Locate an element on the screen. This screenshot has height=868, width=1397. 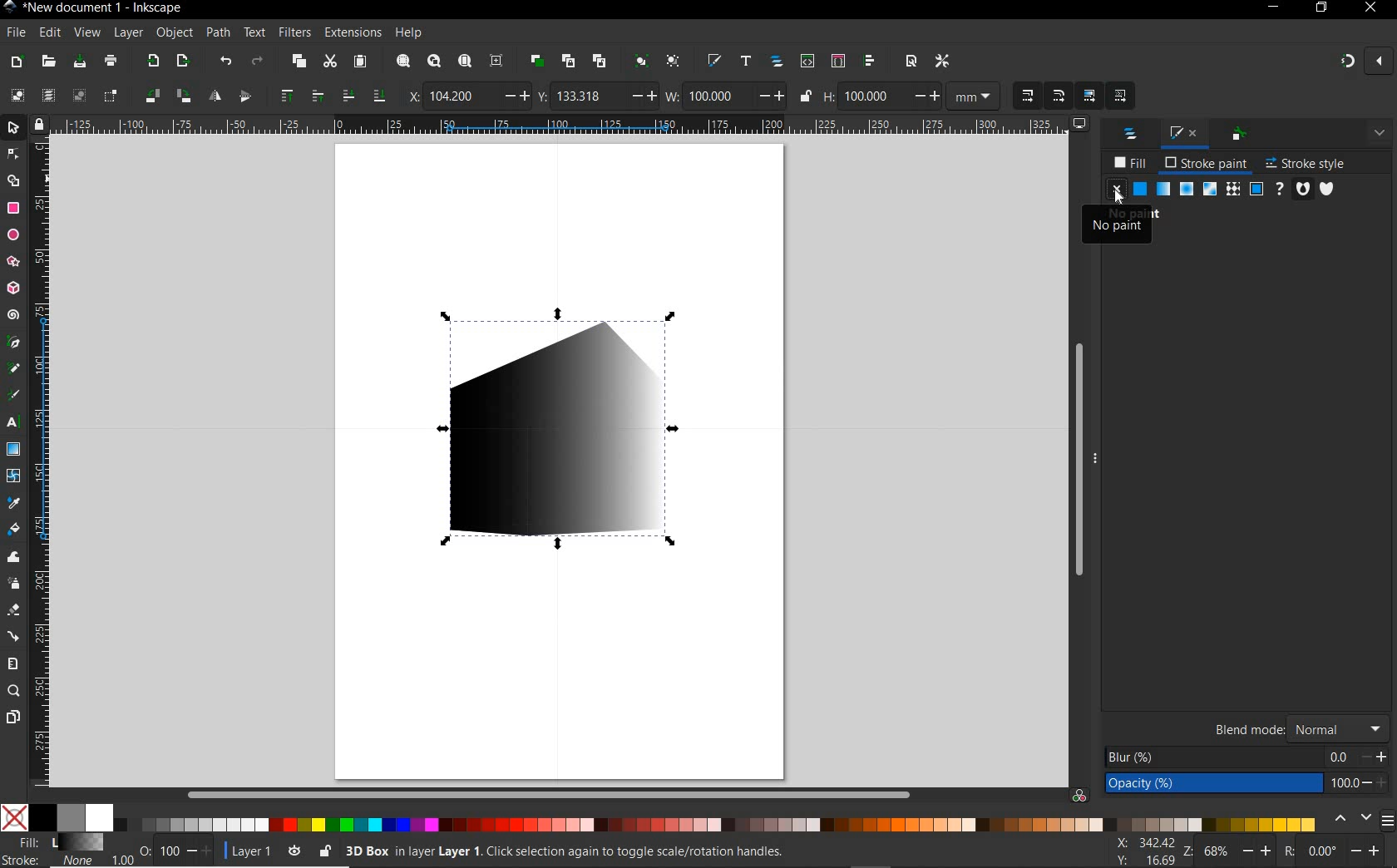
ZOOM CENTER PAGE is located at coordinates (497, 61).